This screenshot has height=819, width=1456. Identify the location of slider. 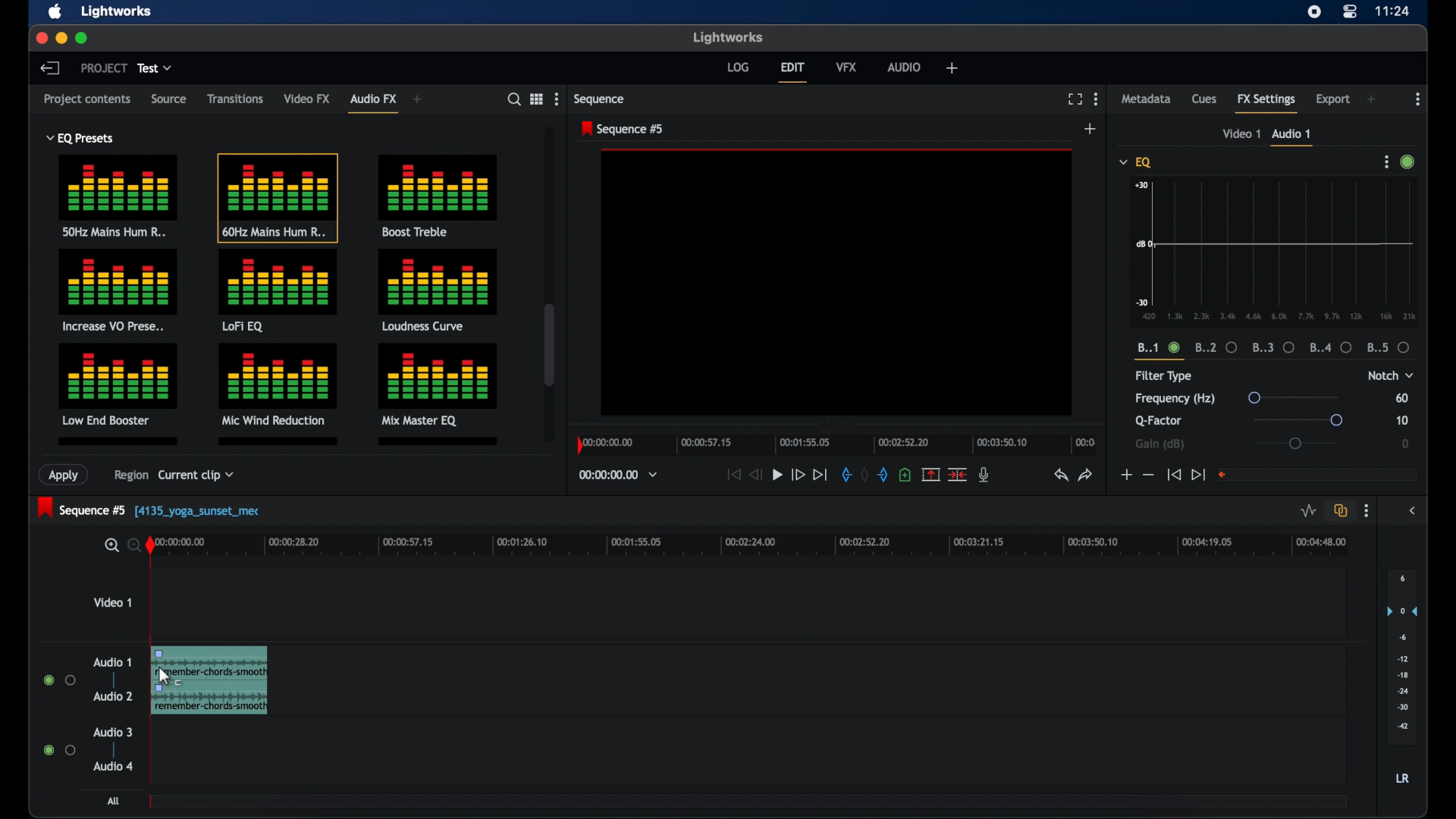
(1296, 420).